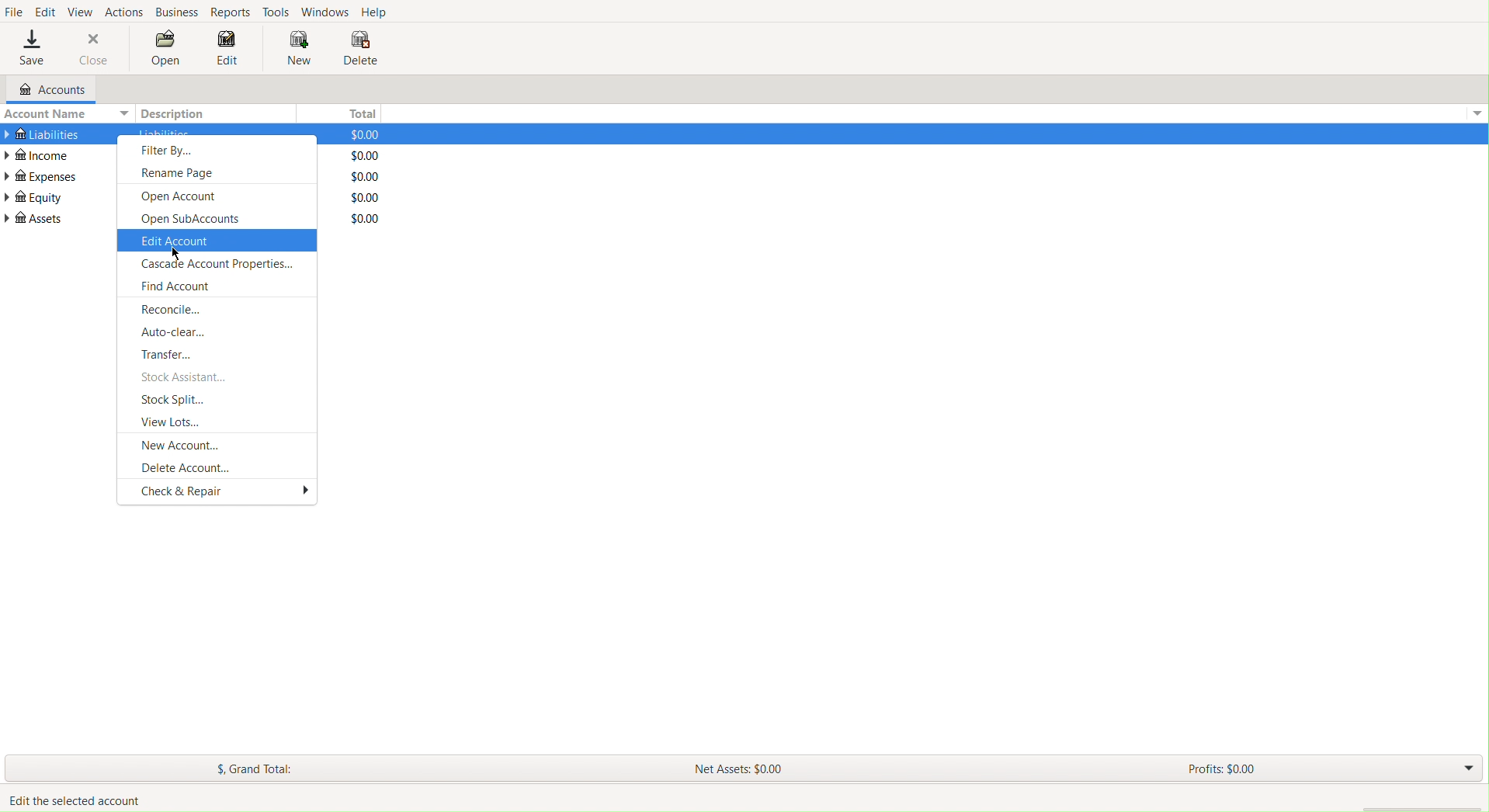  Describe the element at coordinates (172, 354) in the screenshot. I see `Transfer` at that location.